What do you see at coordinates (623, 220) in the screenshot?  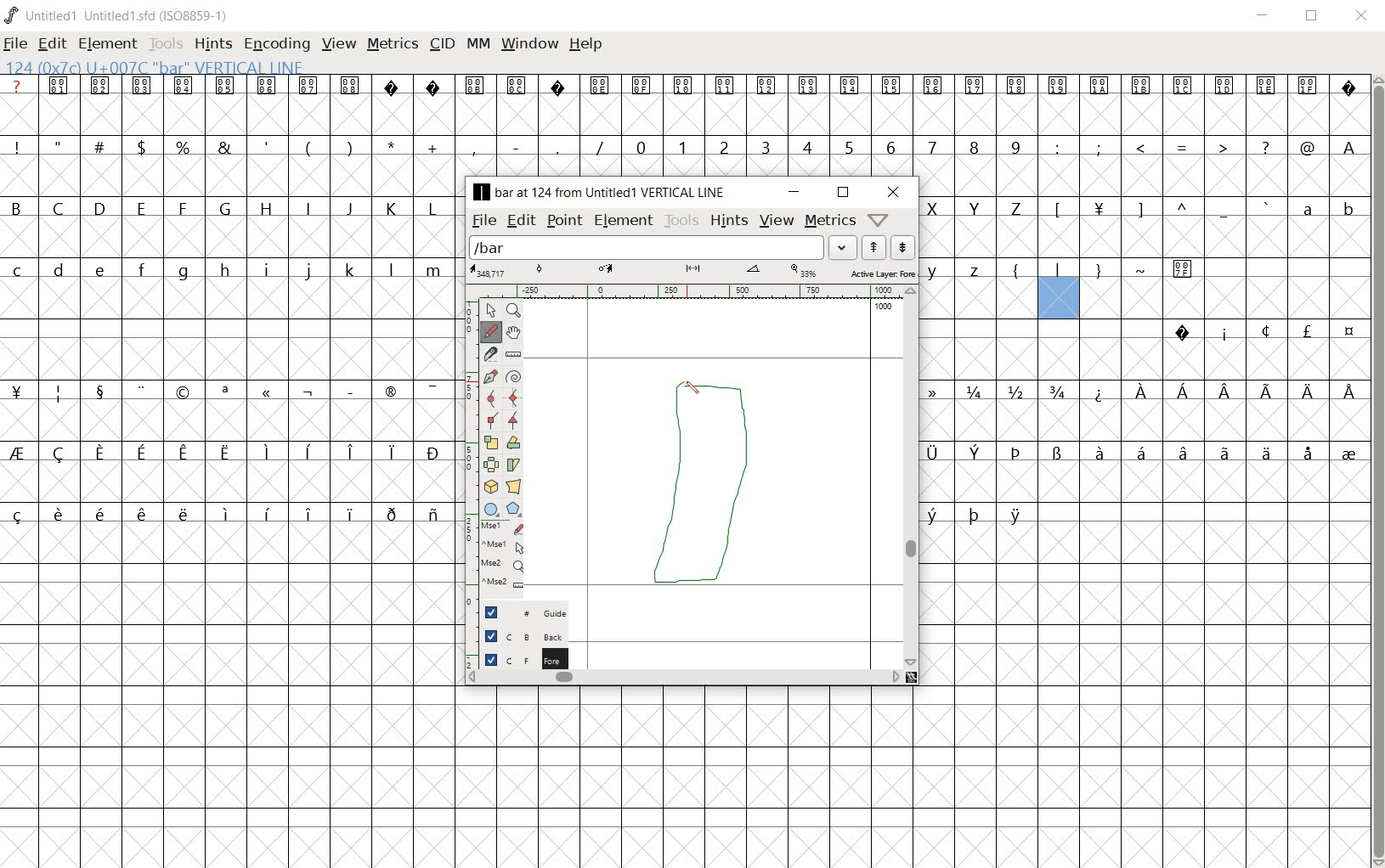 I see `element` at bounding box center [623, 220].